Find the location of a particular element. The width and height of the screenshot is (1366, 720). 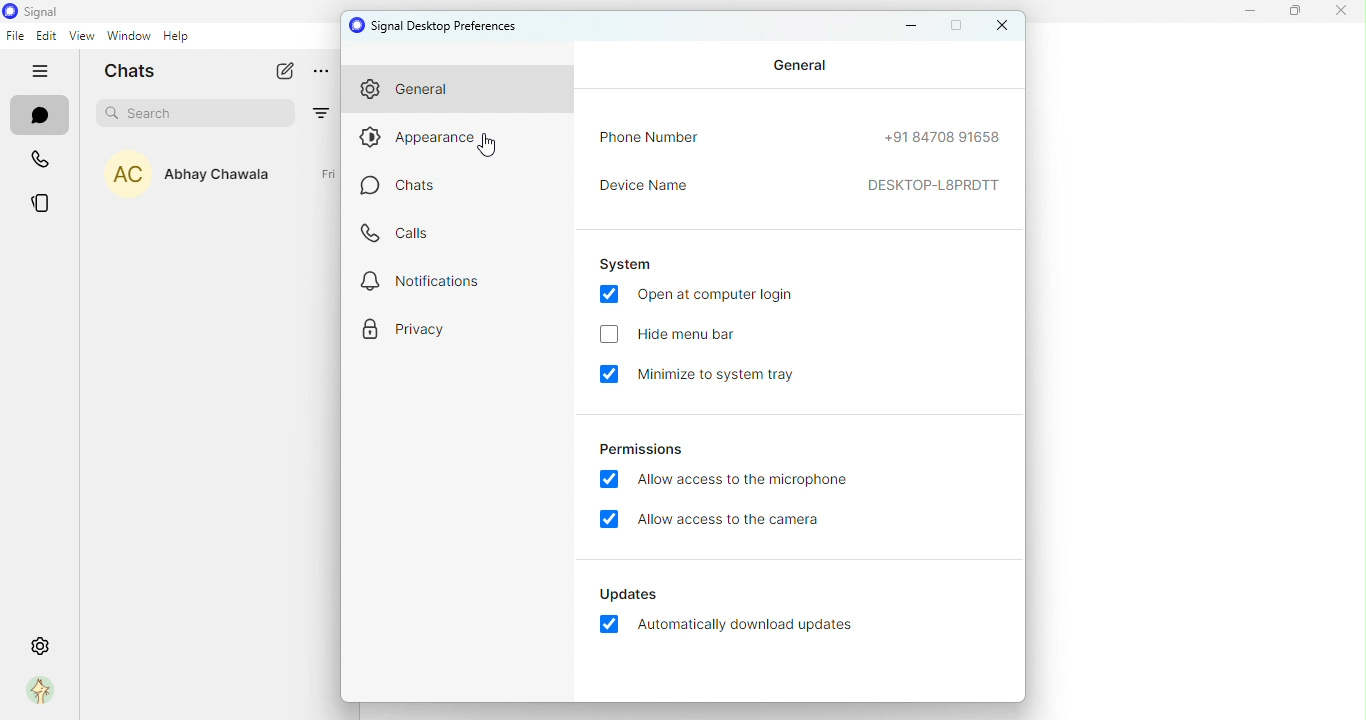

stories is located at coordinates (41, 202).